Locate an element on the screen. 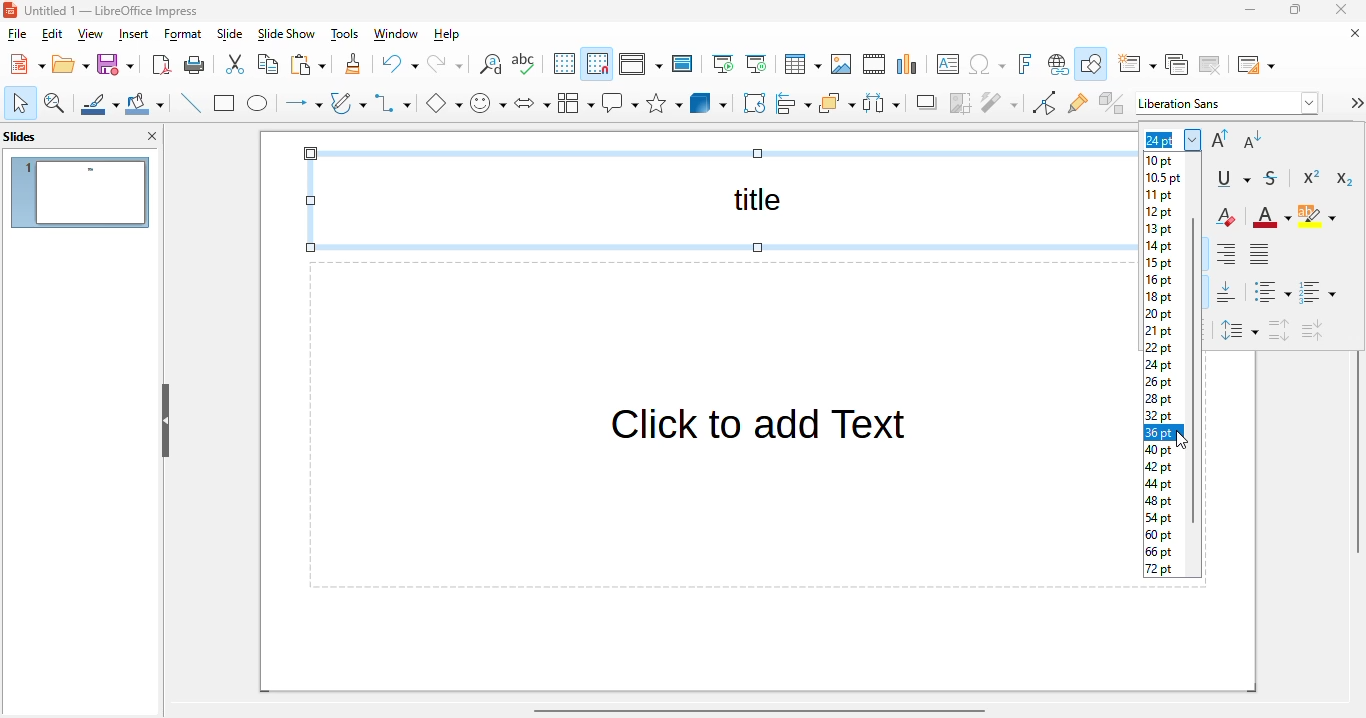 This screenshot has width=1366, height=718. undo is located at coordinates (400, 64).